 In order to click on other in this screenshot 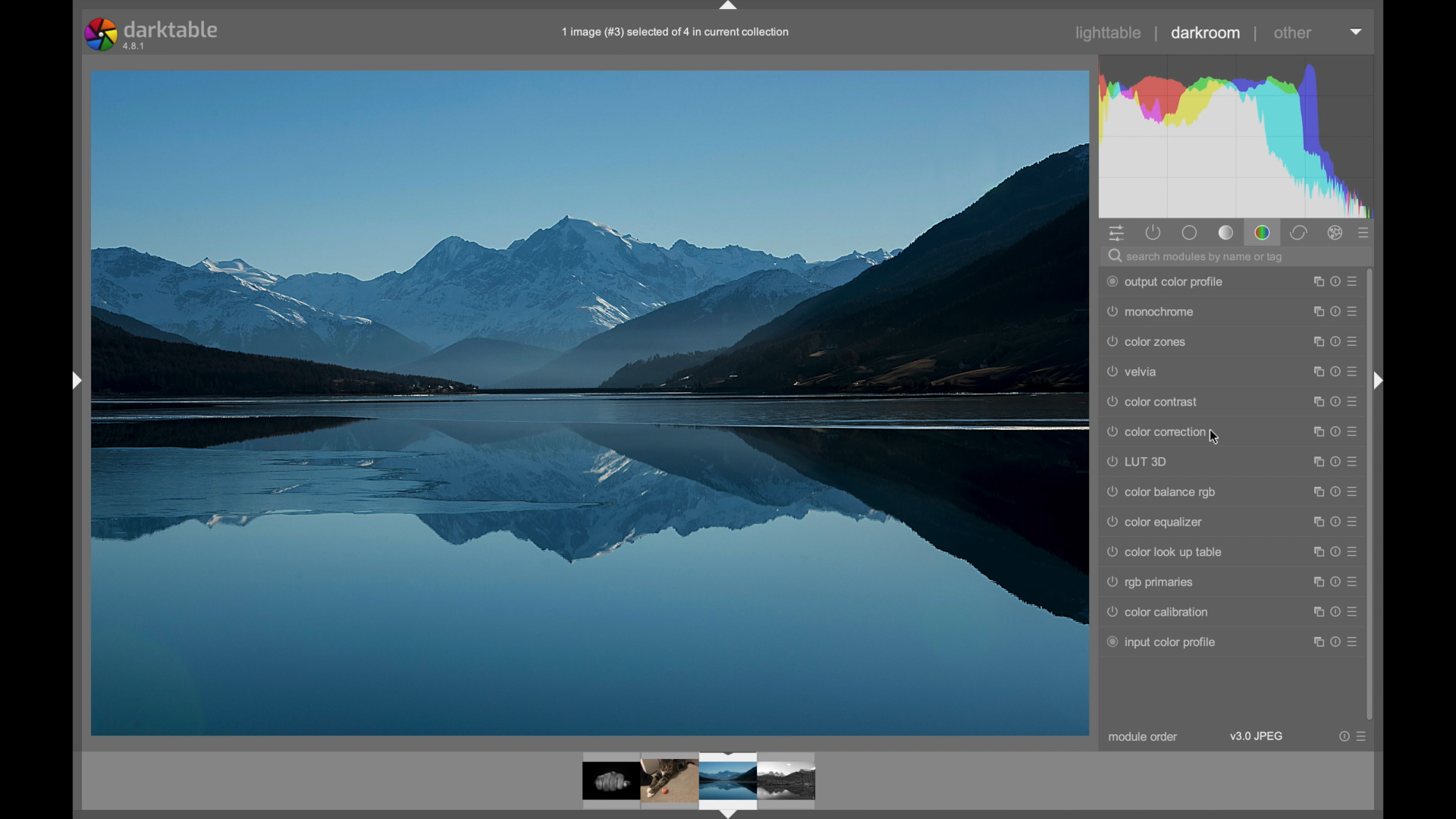, I will do `click(1293, 34)`.